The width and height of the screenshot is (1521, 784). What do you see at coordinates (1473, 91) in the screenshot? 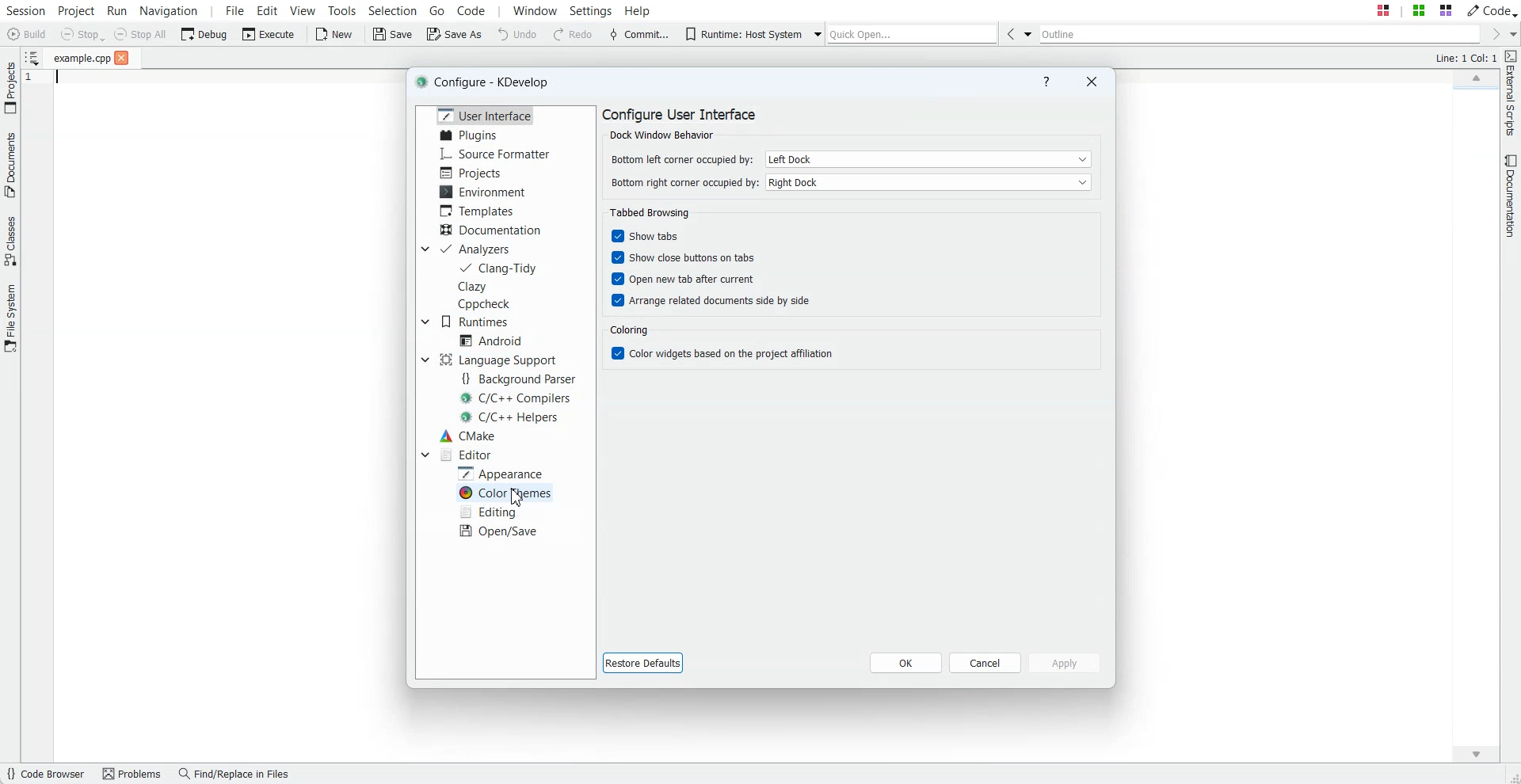
I see `File Overview` at bounding box center [1473, 91].